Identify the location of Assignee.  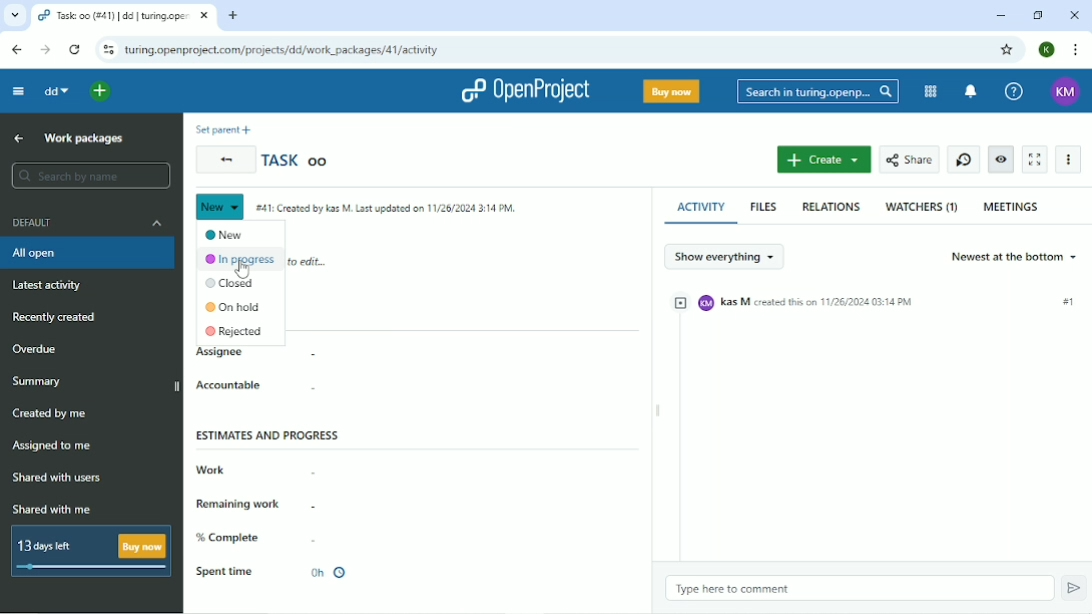
(219, 353).